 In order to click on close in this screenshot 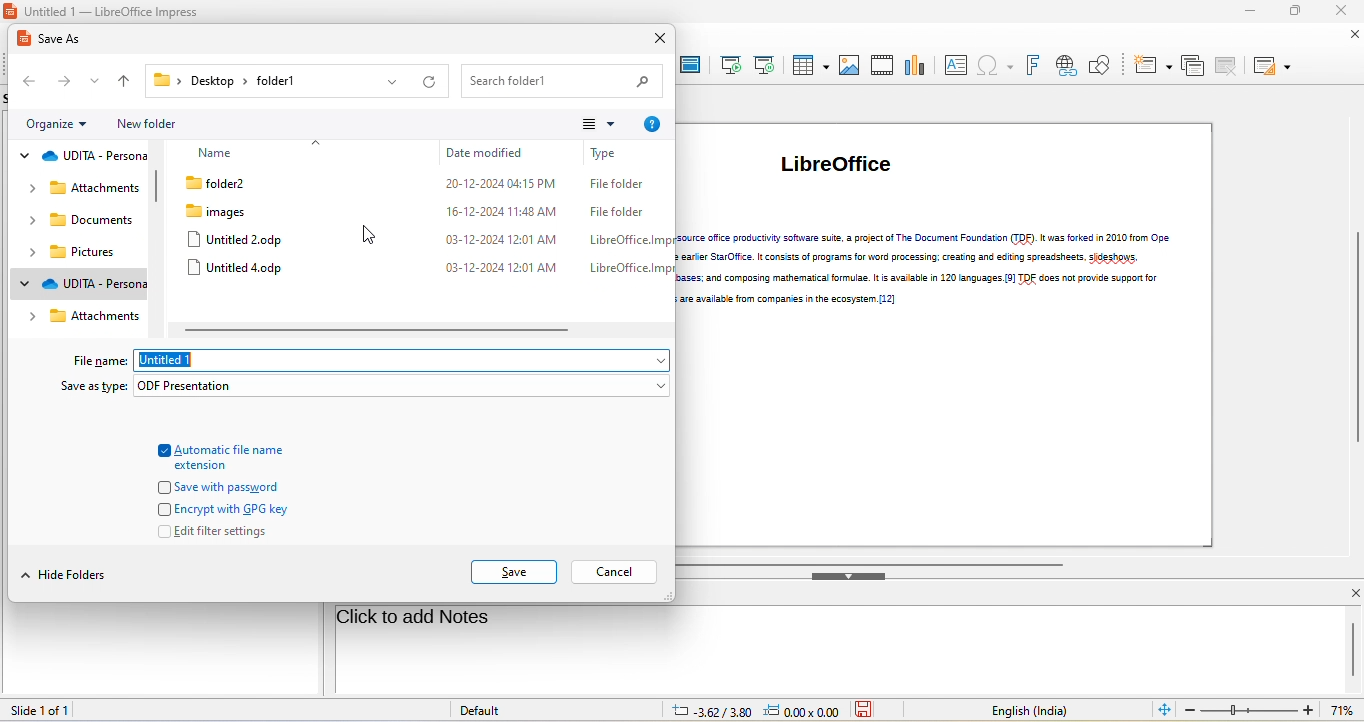, I will do `click(1341, 12)`.